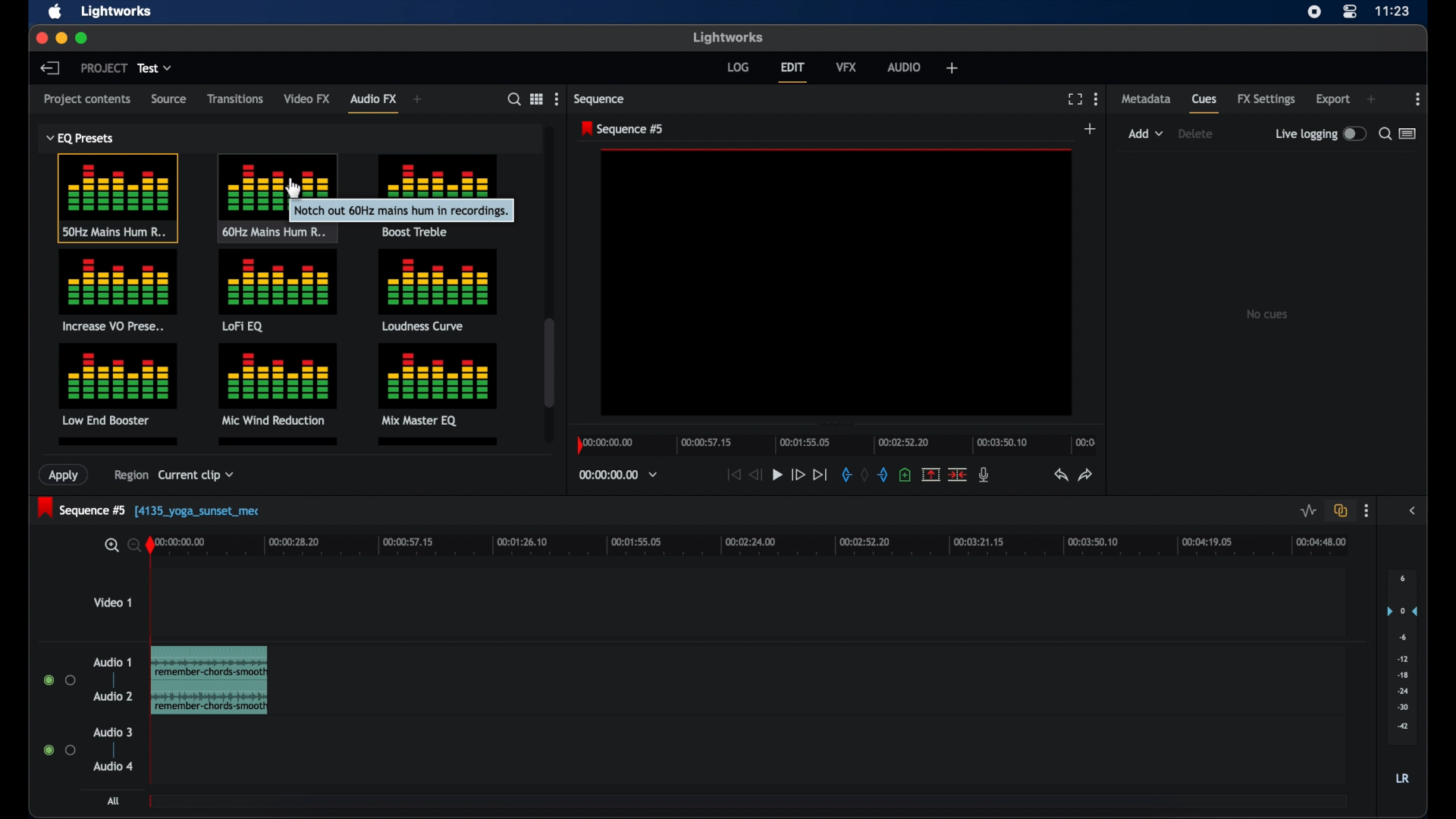 This screenshot has height=819, width=1456. Describe the element at coordinates (113, 695) in the screenshot. I see `audio 2` at that location.